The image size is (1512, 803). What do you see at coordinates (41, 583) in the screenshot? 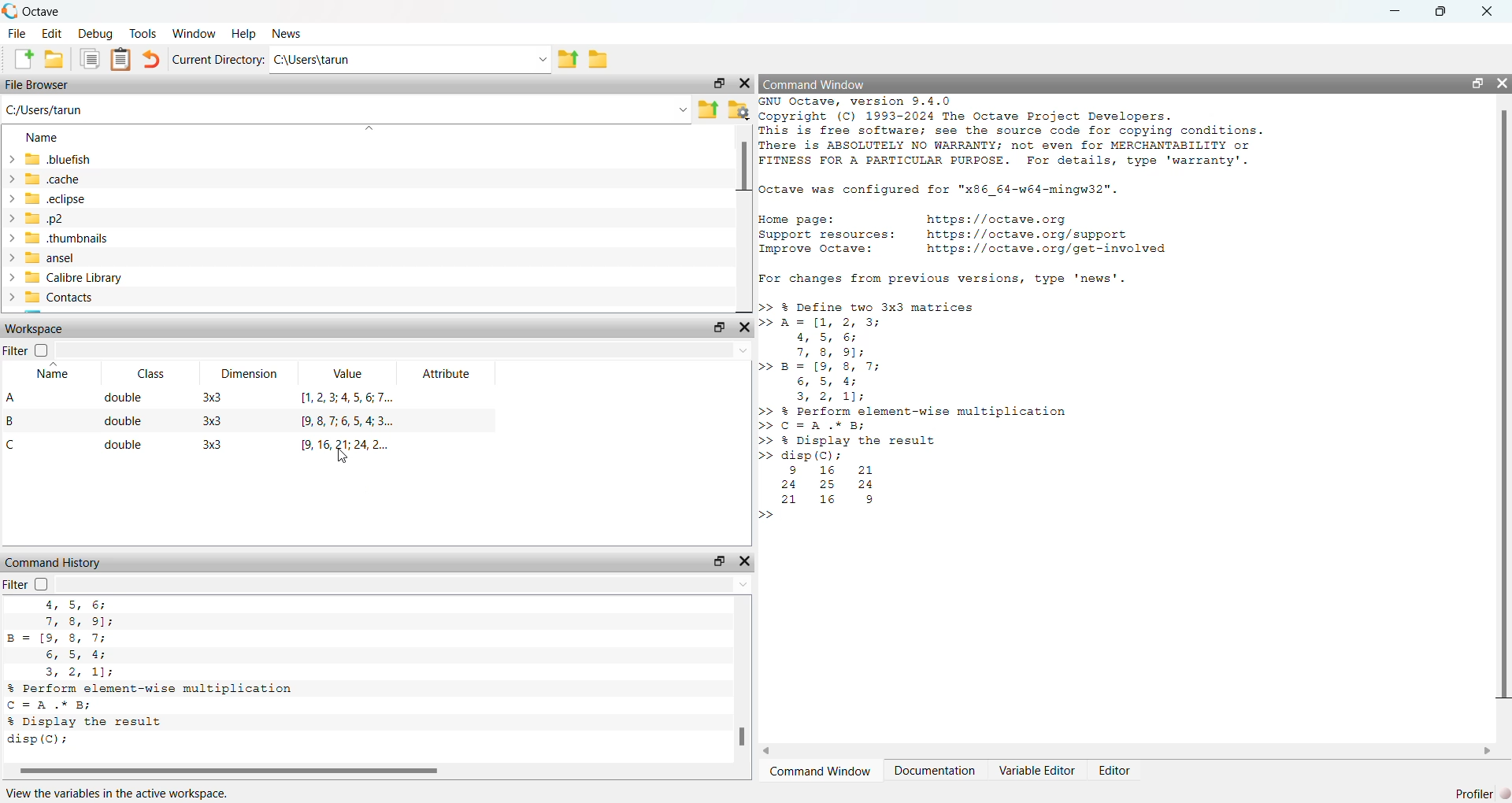
I see `Checkbox` at bounding box center [41, 583].